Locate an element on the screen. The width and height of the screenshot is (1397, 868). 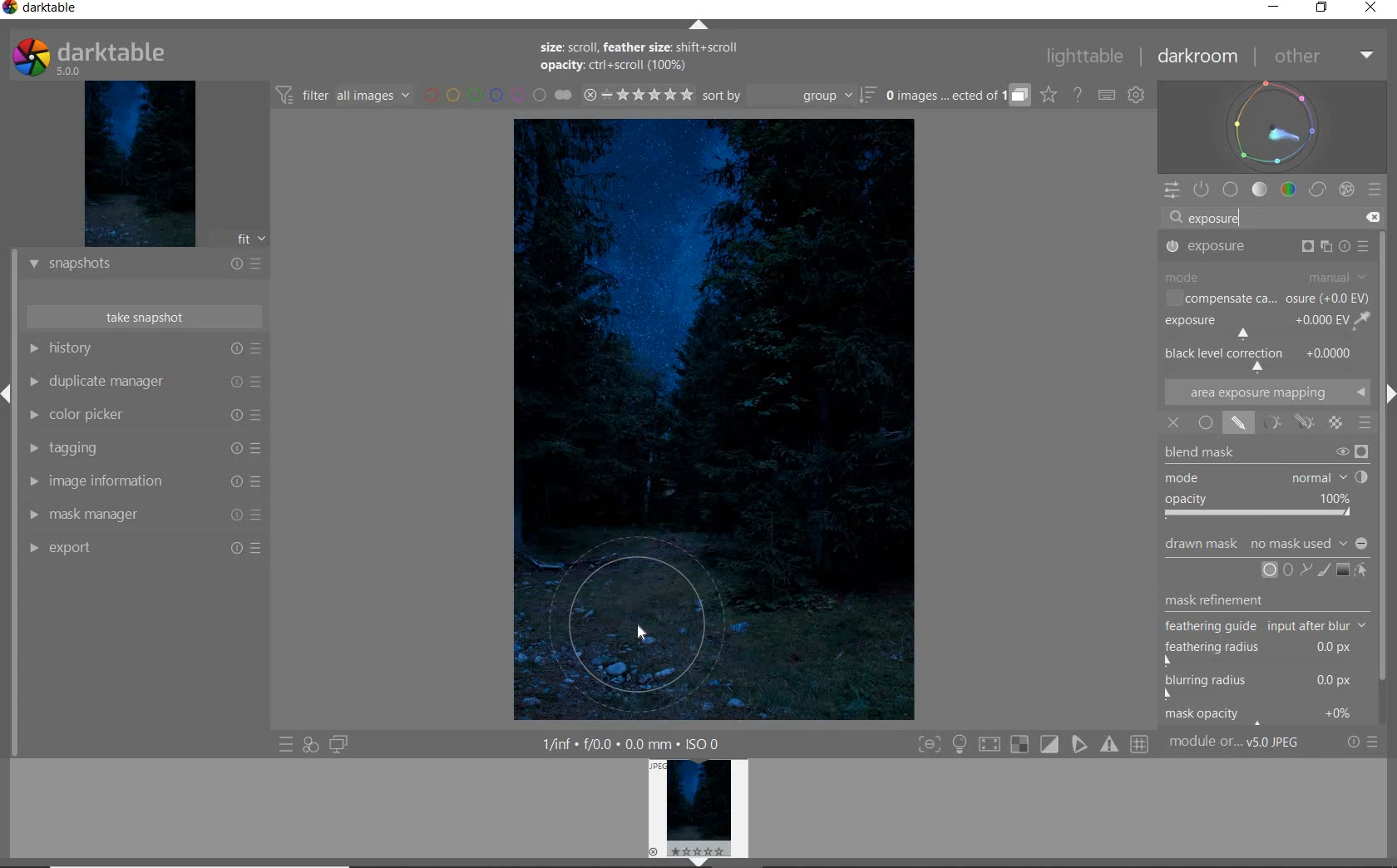
SORT is located at coordinates (789, 96).